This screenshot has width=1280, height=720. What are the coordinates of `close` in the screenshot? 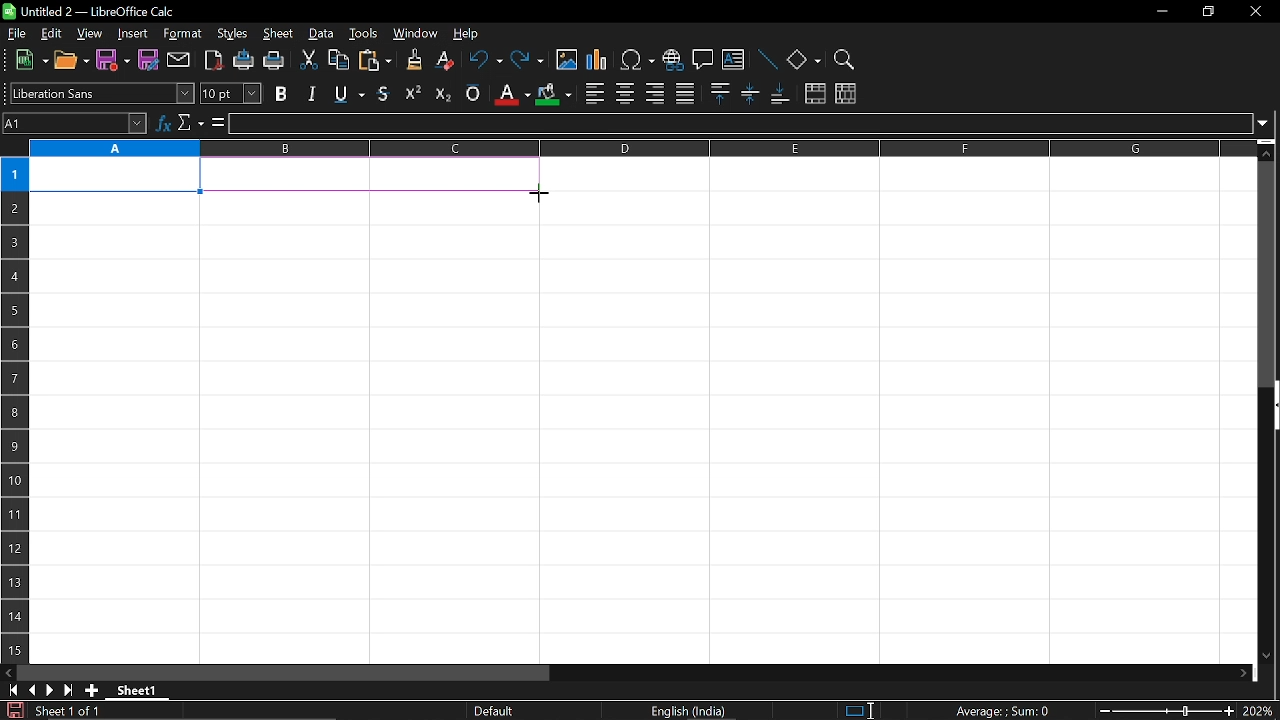 It's located at (1257, 12).